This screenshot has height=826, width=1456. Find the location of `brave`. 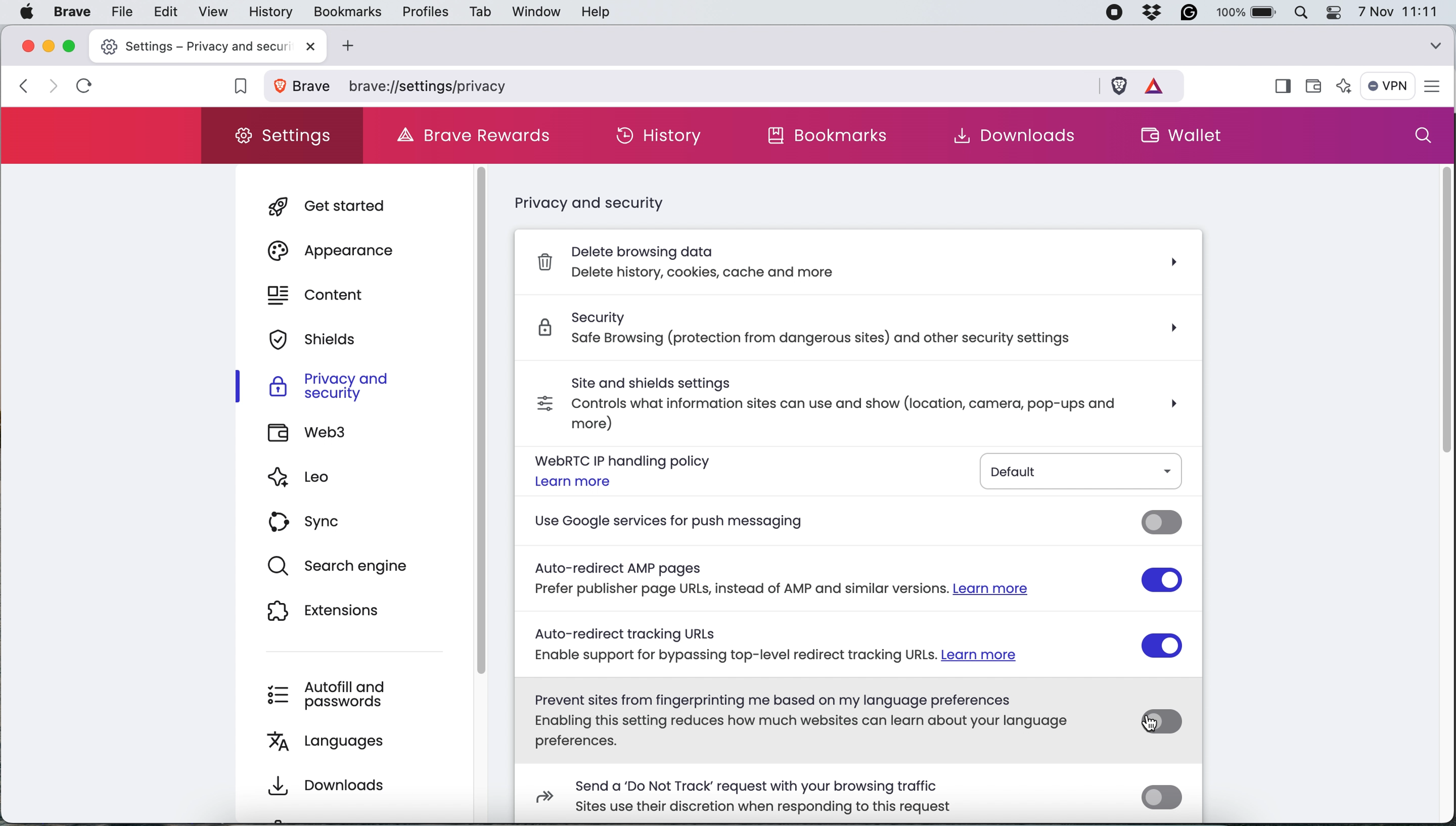

brave is located at coordinates (73, 12).